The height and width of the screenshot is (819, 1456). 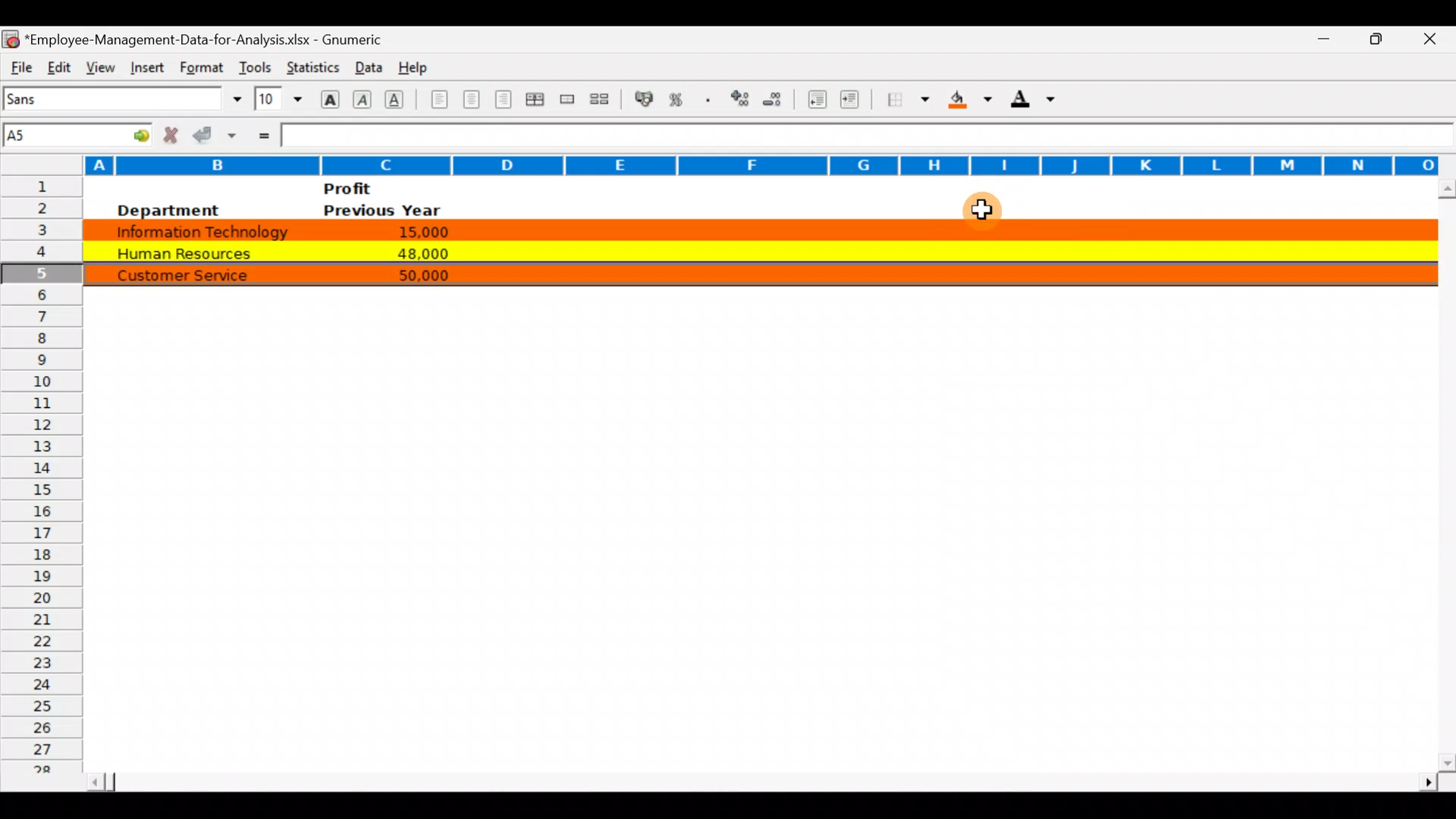 What do you see at coordinates (438, 99) in the screenshot?
I see `Align left` at bounding box center [438, 99].